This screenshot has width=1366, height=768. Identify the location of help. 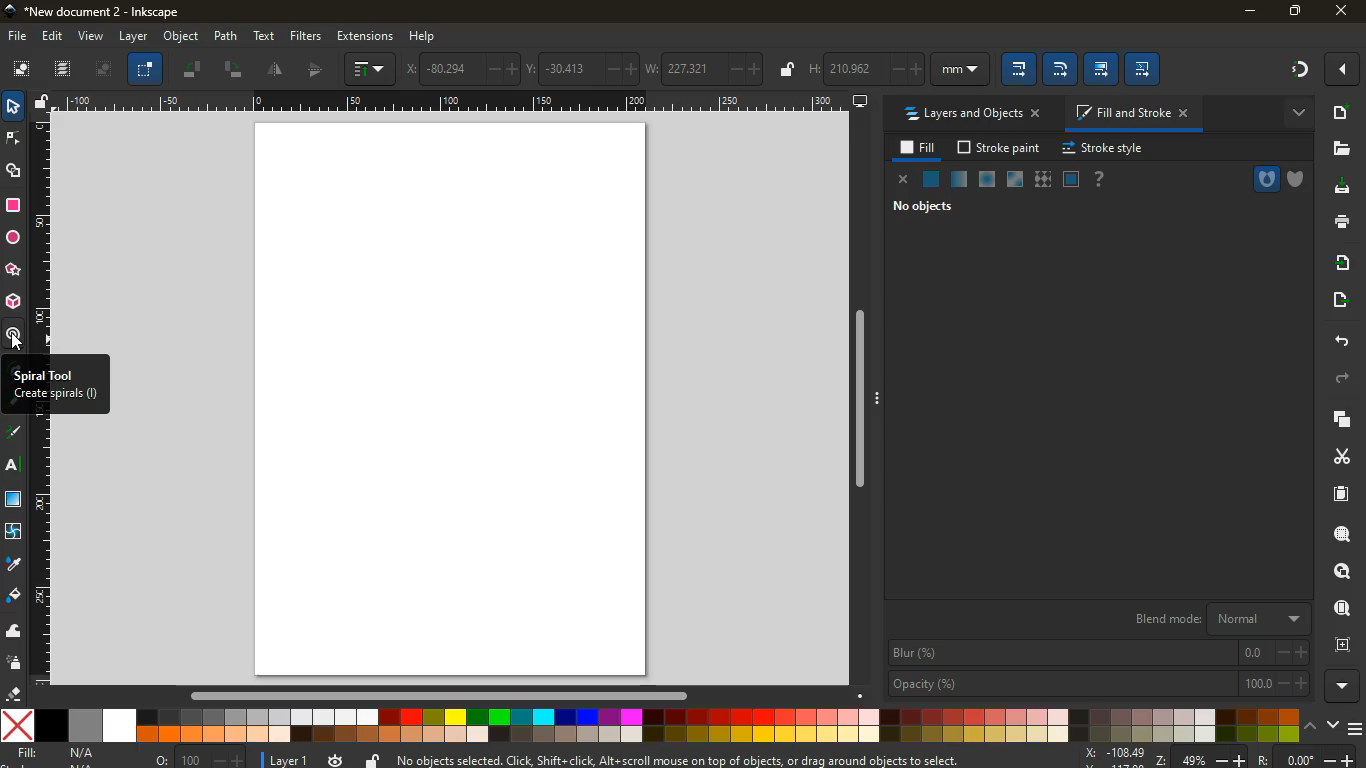
(1101, 180).